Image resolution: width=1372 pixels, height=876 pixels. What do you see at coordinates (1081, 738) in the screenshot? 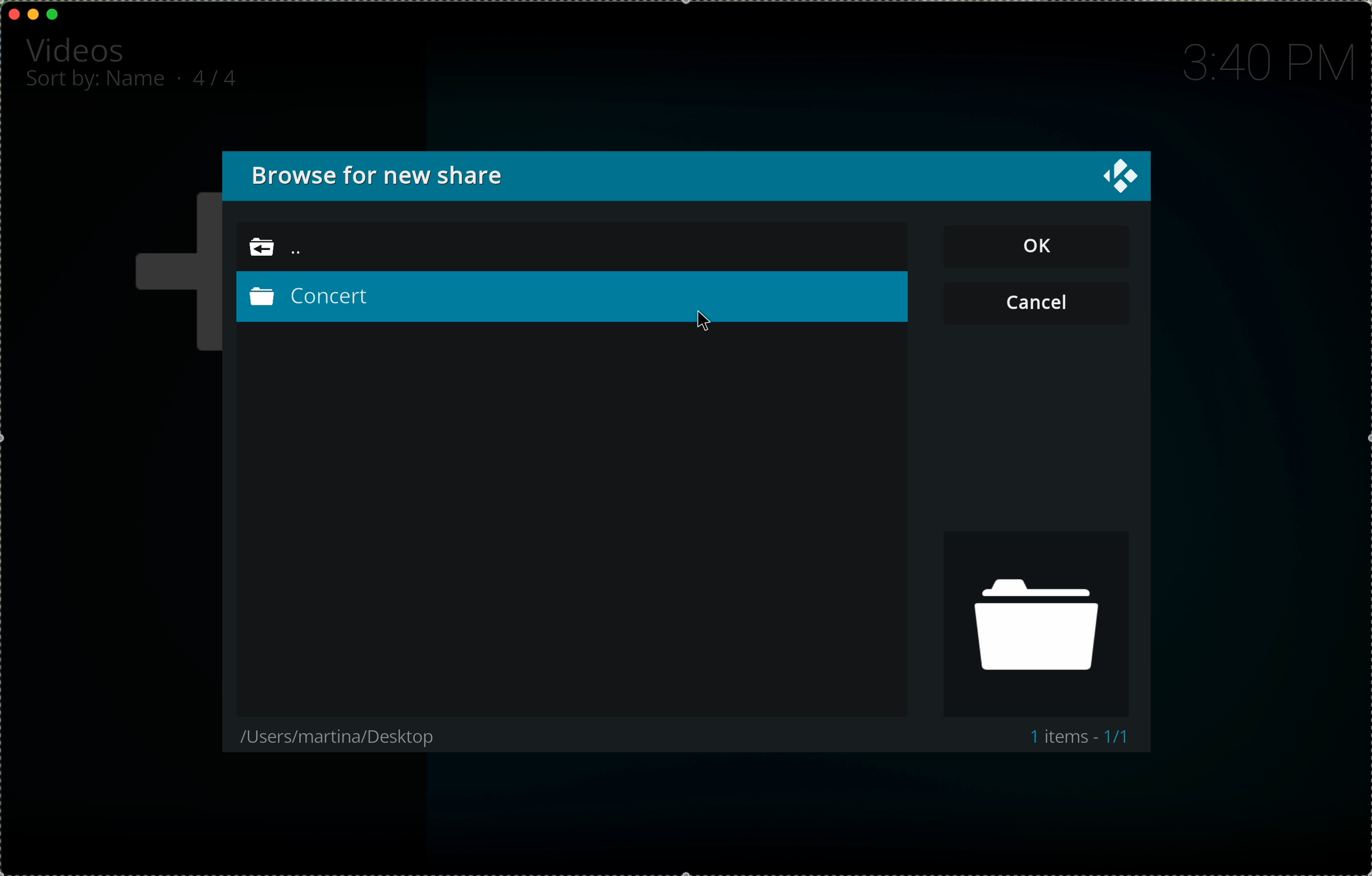
I see `1 items 1/1` at bounding box center [1081, 738].